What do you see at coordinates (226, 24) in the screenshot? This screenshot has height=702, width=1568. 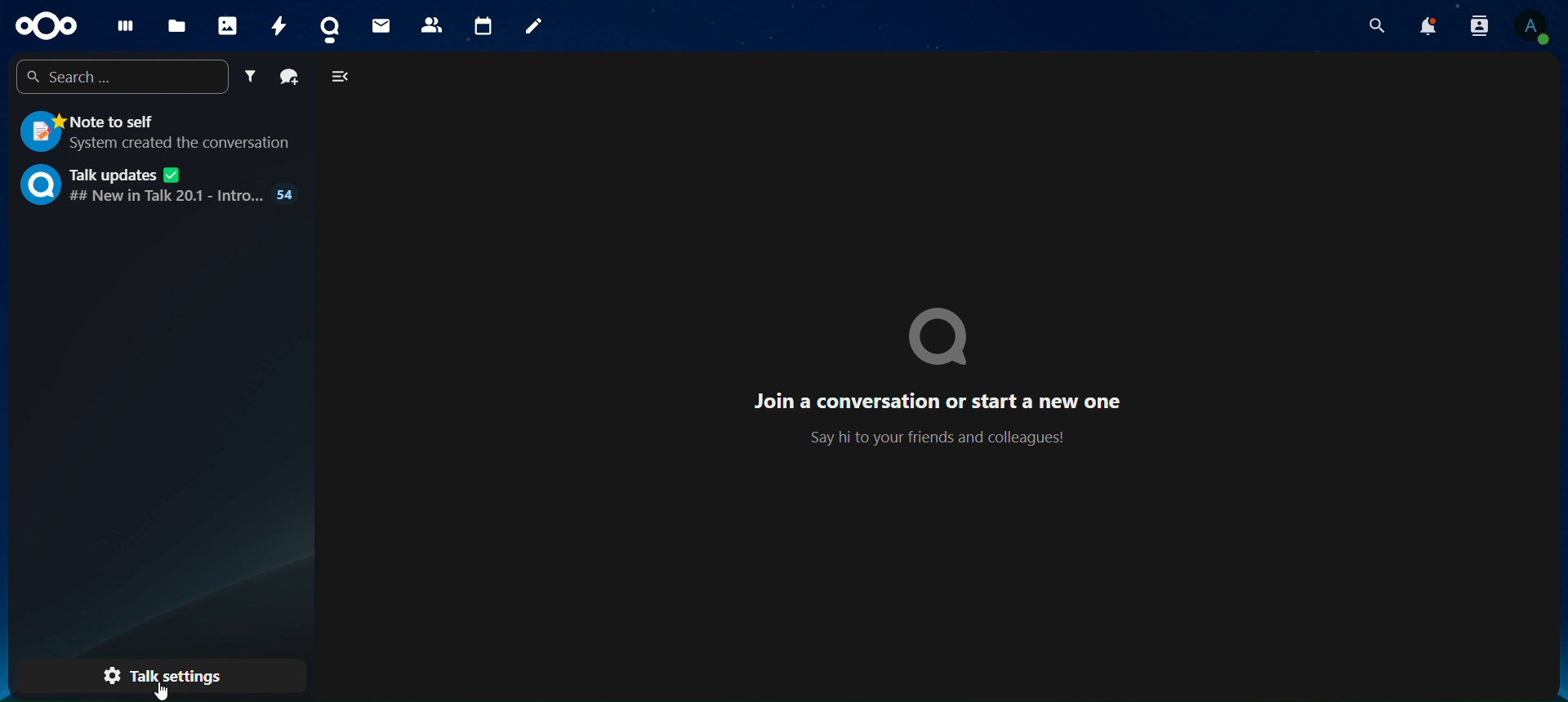 I see `photos` at bounding box center [226, 24].